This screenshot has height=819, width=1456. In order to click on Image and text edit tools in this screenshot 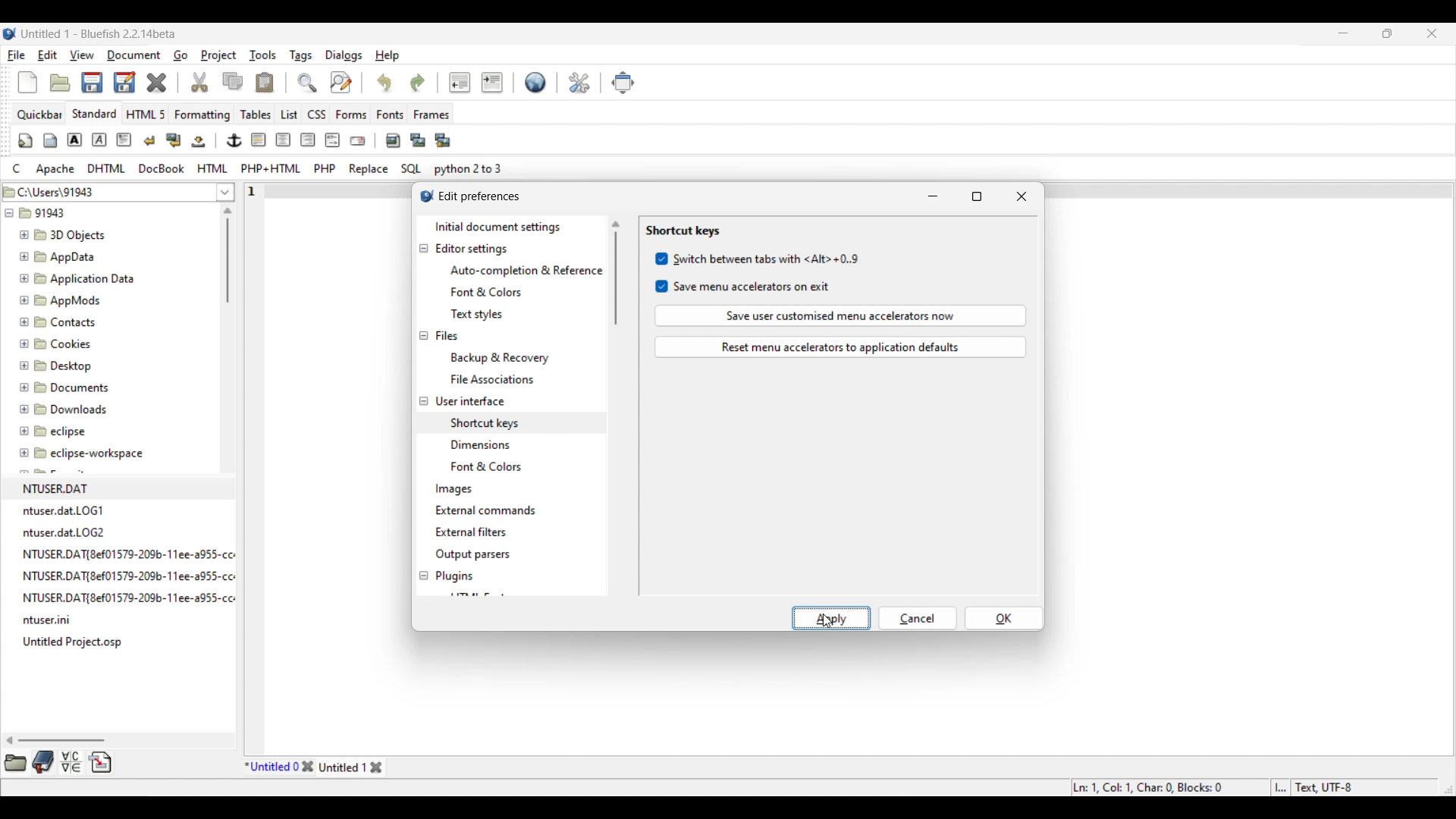, I will do `click(235, 140)`.